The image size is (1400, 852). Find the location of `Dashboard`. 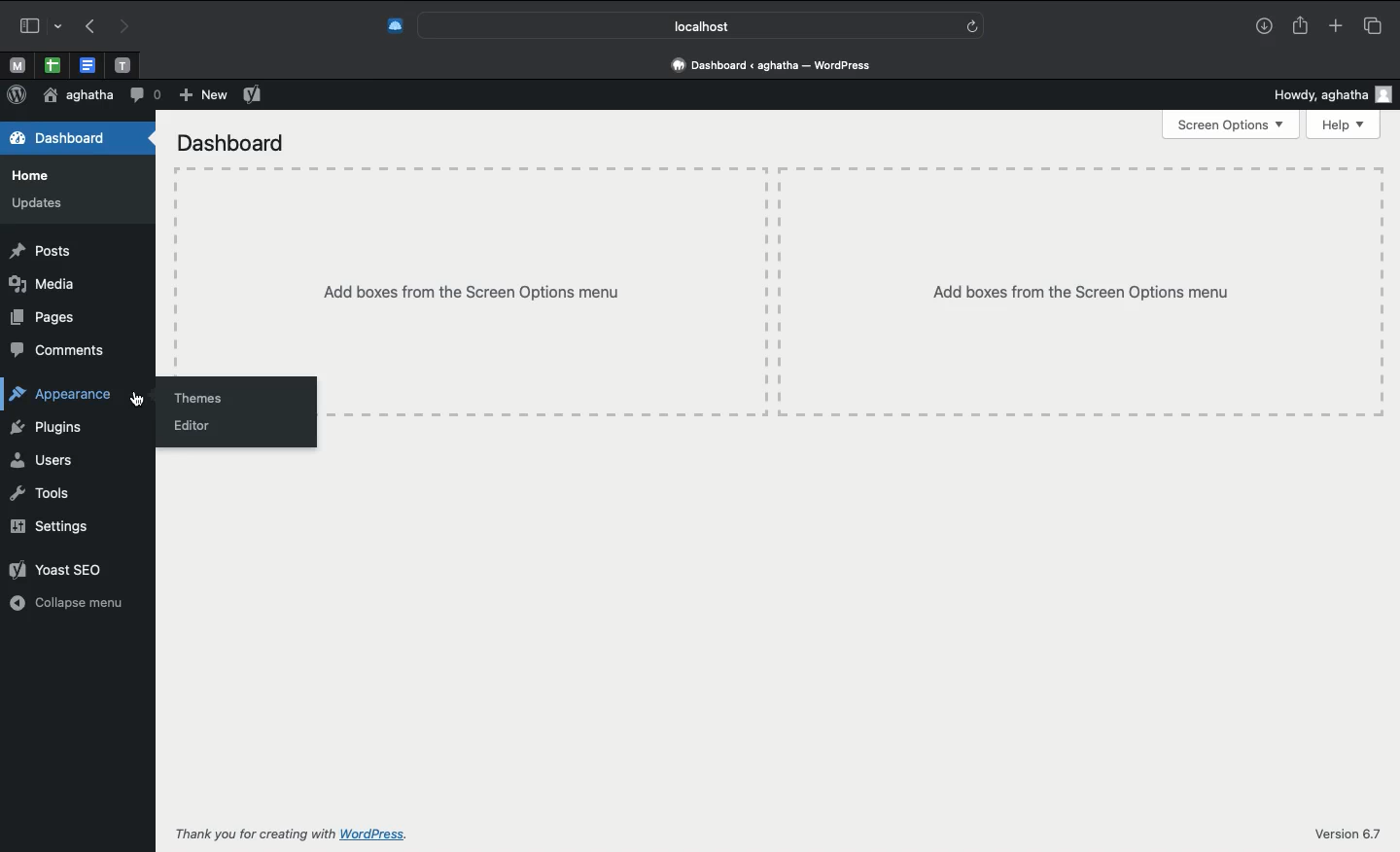

Dashboard is located at coordinates (60, 139).